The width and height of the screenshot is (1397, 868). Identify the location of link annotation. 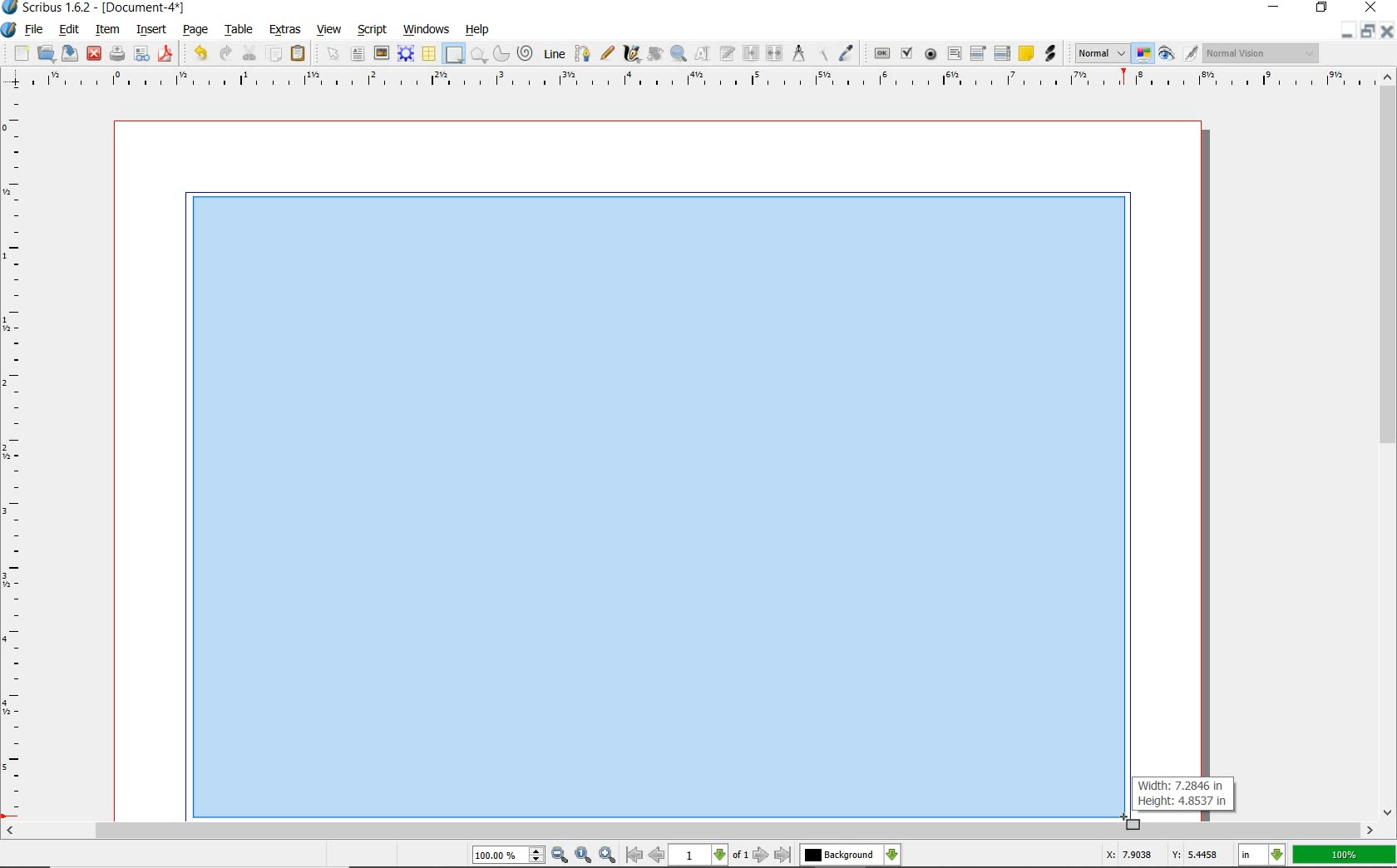
(1049, 55).